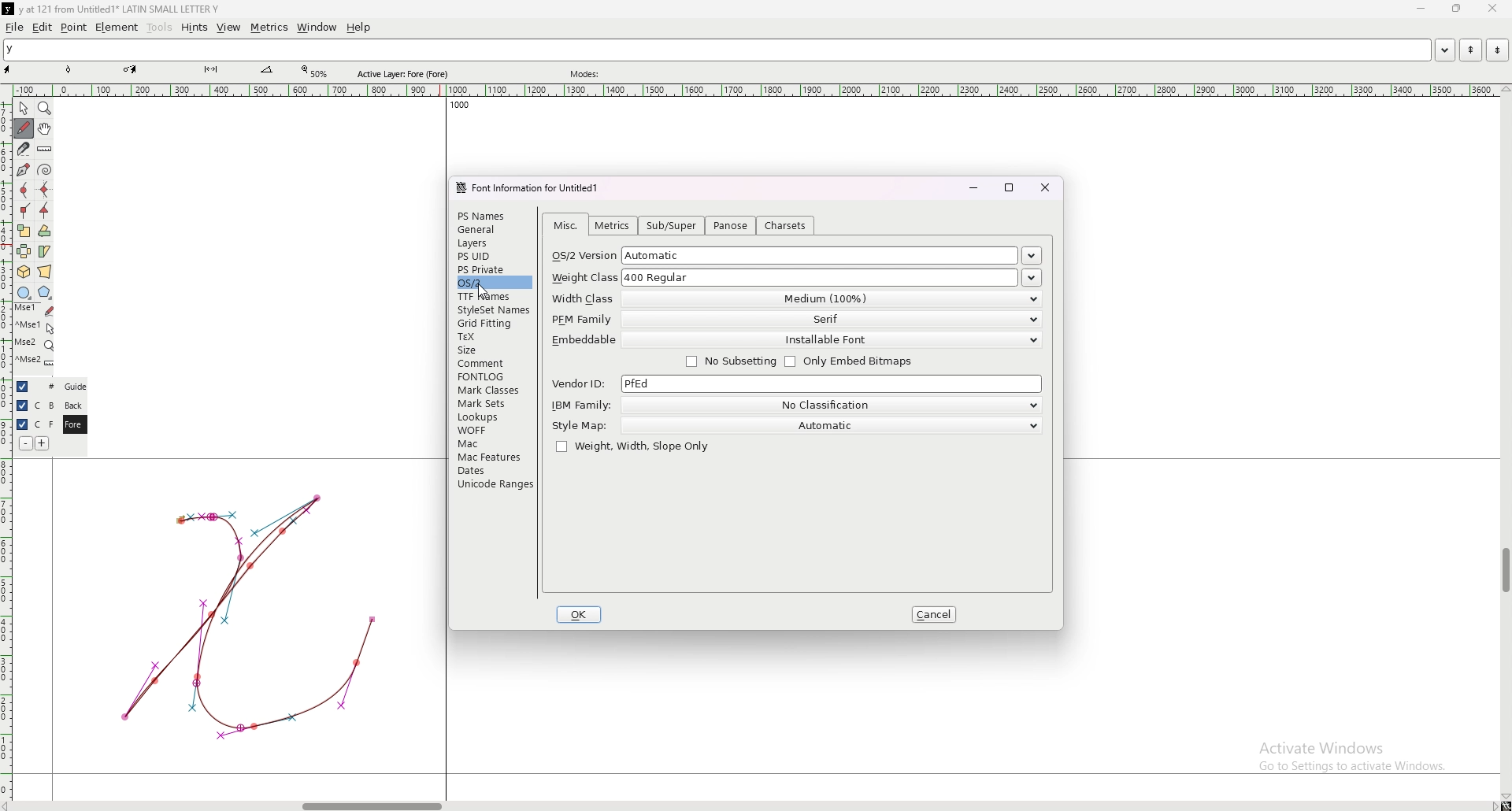  I want to click on polygon or star, so click(45, 293).